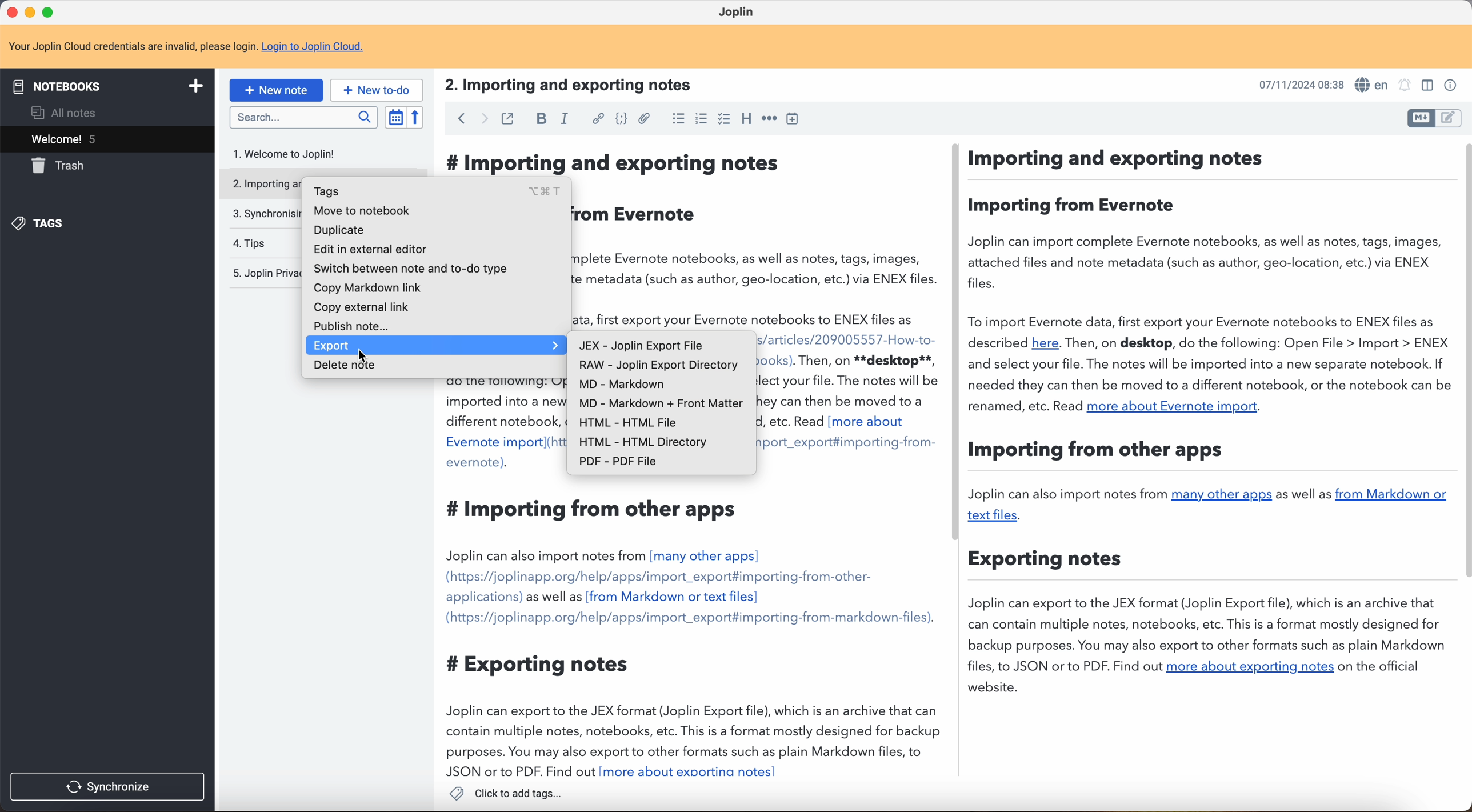  I want to click on click to add tags, so click(506, 793).